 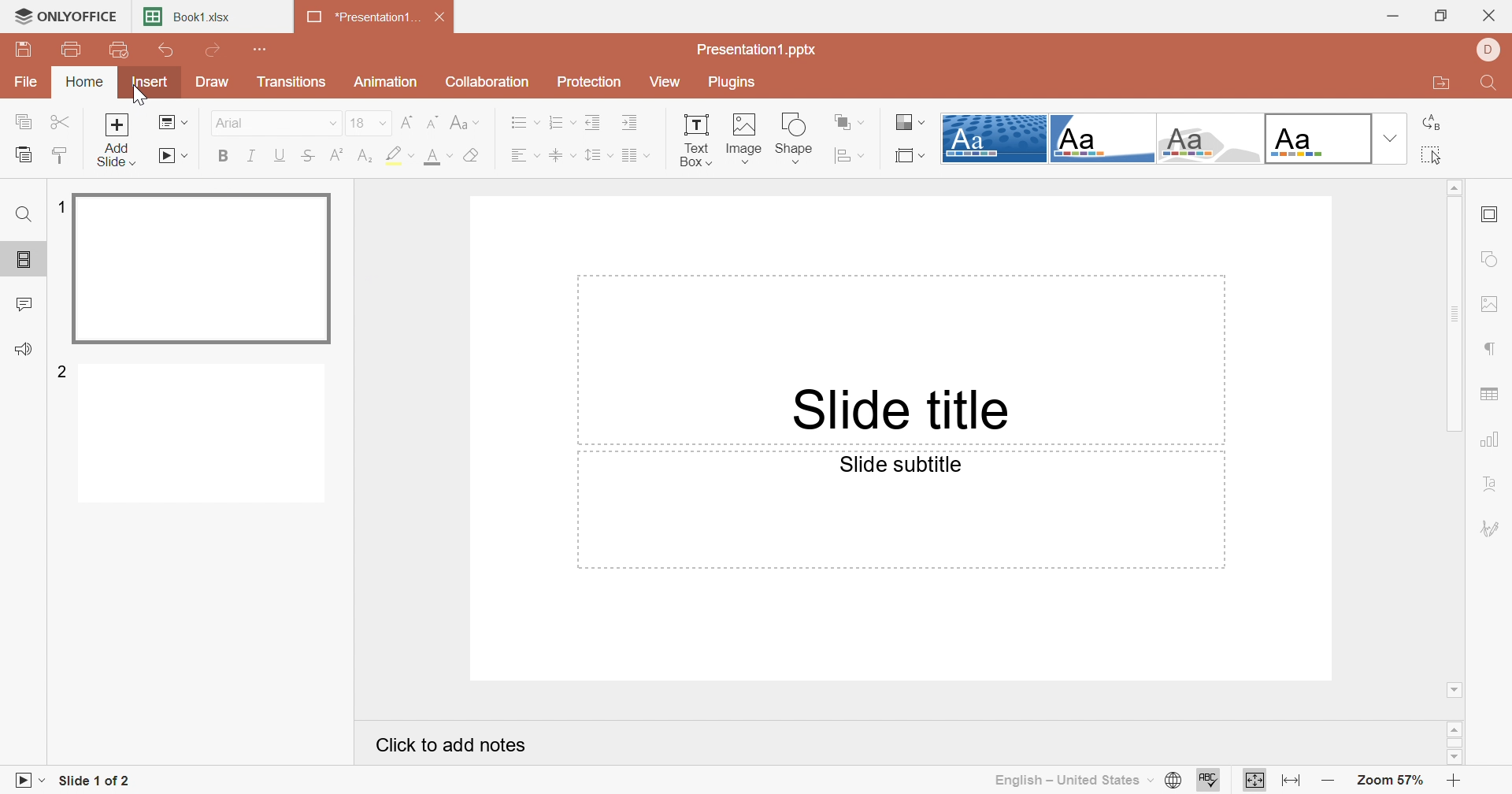 What do you see at coordinates (224, 158) in the screenshot?
I see `Bold` at bounding box center [224, 158].